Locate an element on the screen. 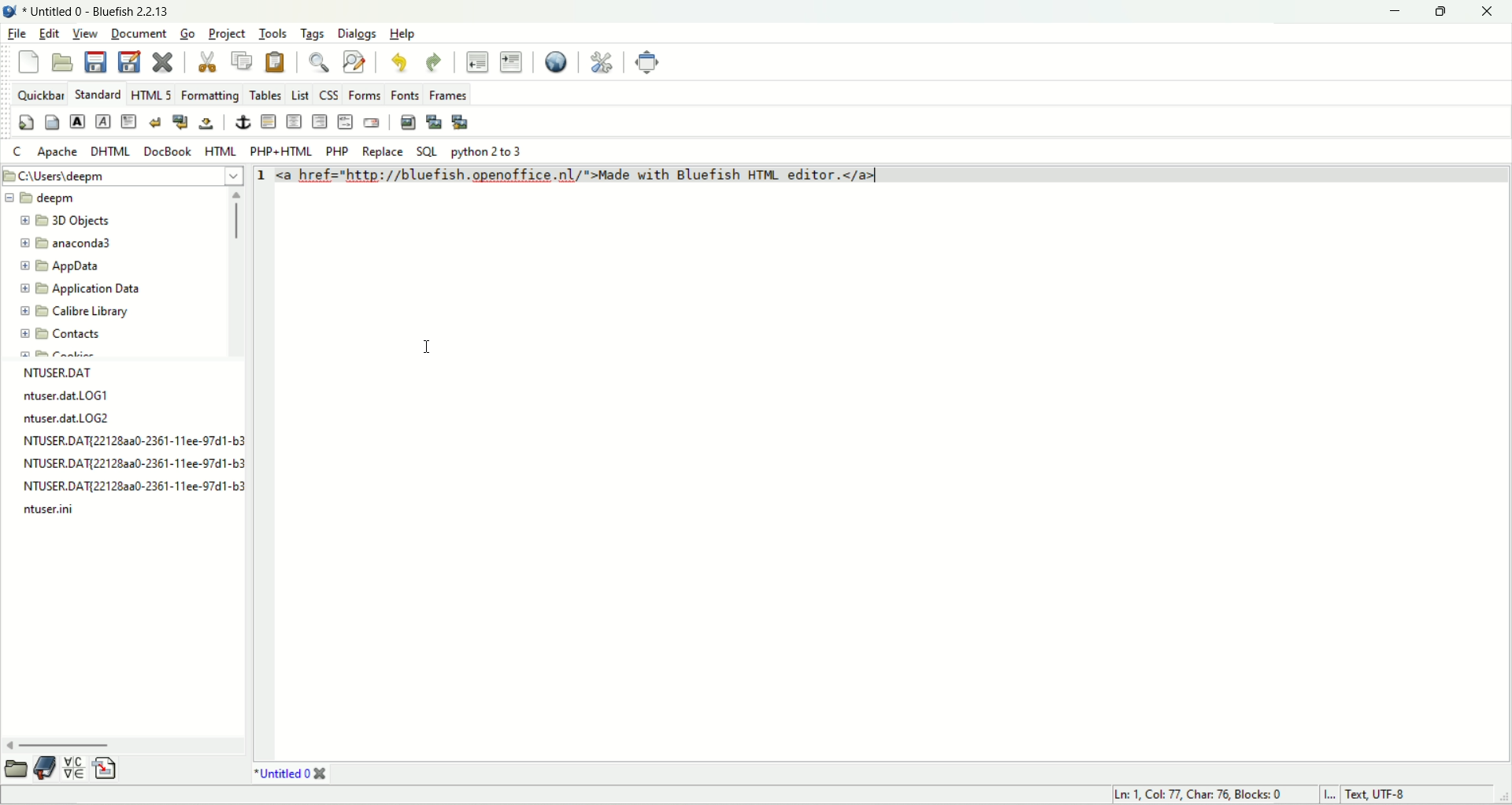 This screenshot has height=805, width=1512. anaconda is located at coordinates (70, 241).